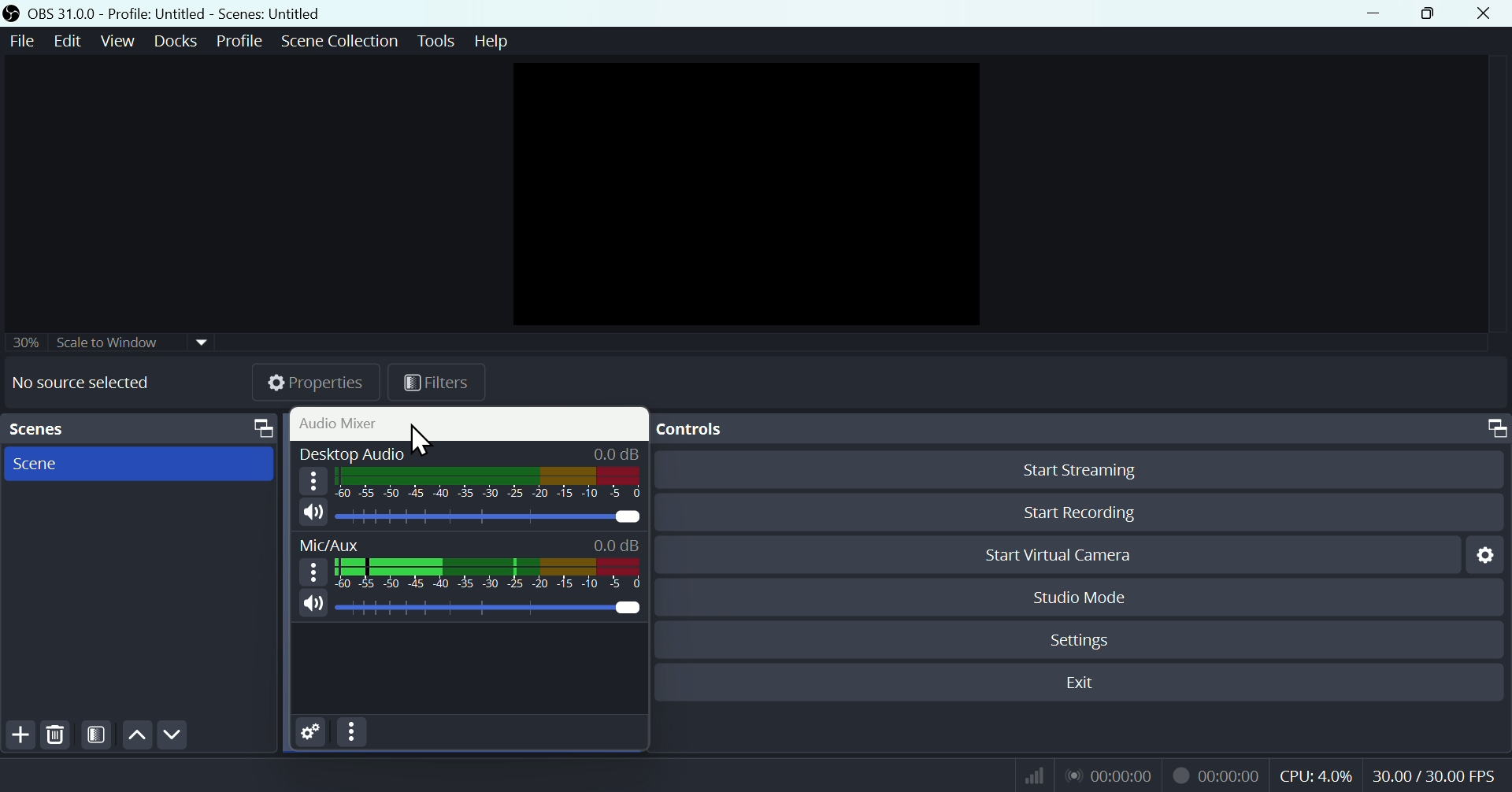 This screenshot has height=792, width=1512. Describe the element at coordinates (140, 464) in the screenshot. I see `scene` at that location.